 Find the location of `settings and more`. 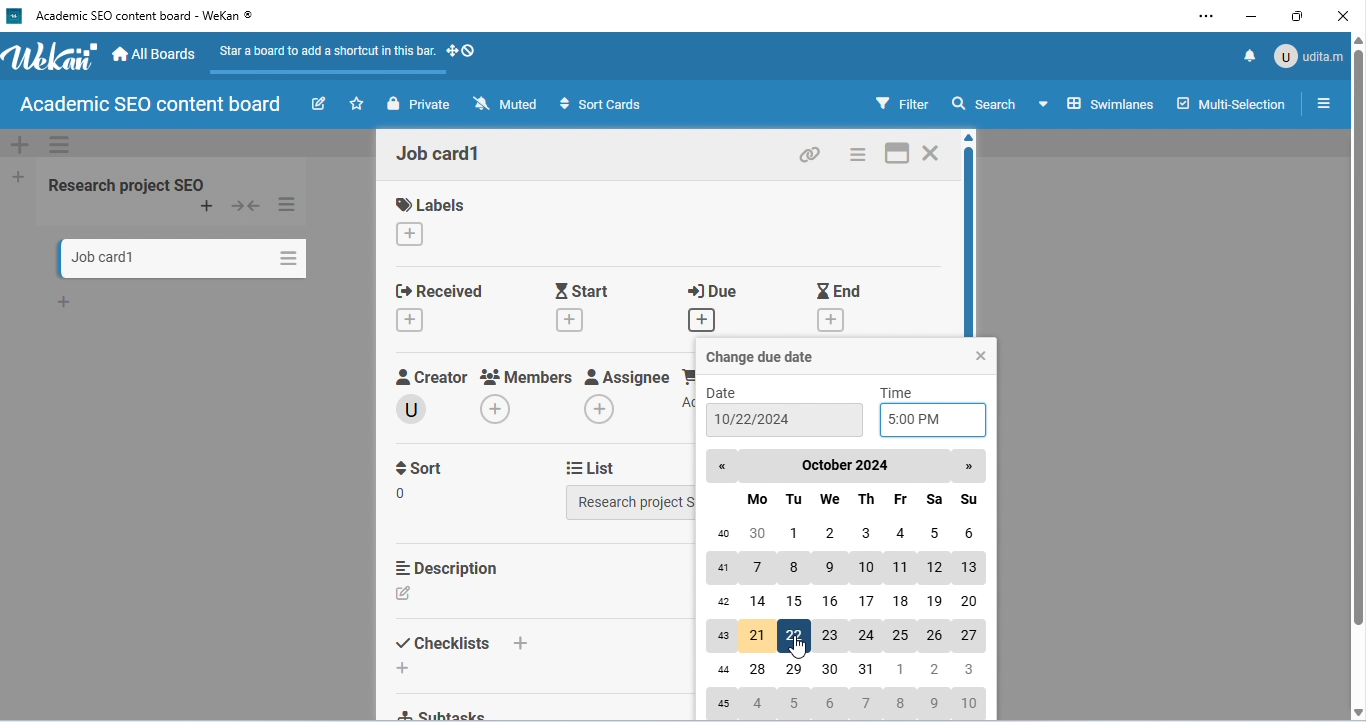

settings and more is located at coordinates (1211, 16).